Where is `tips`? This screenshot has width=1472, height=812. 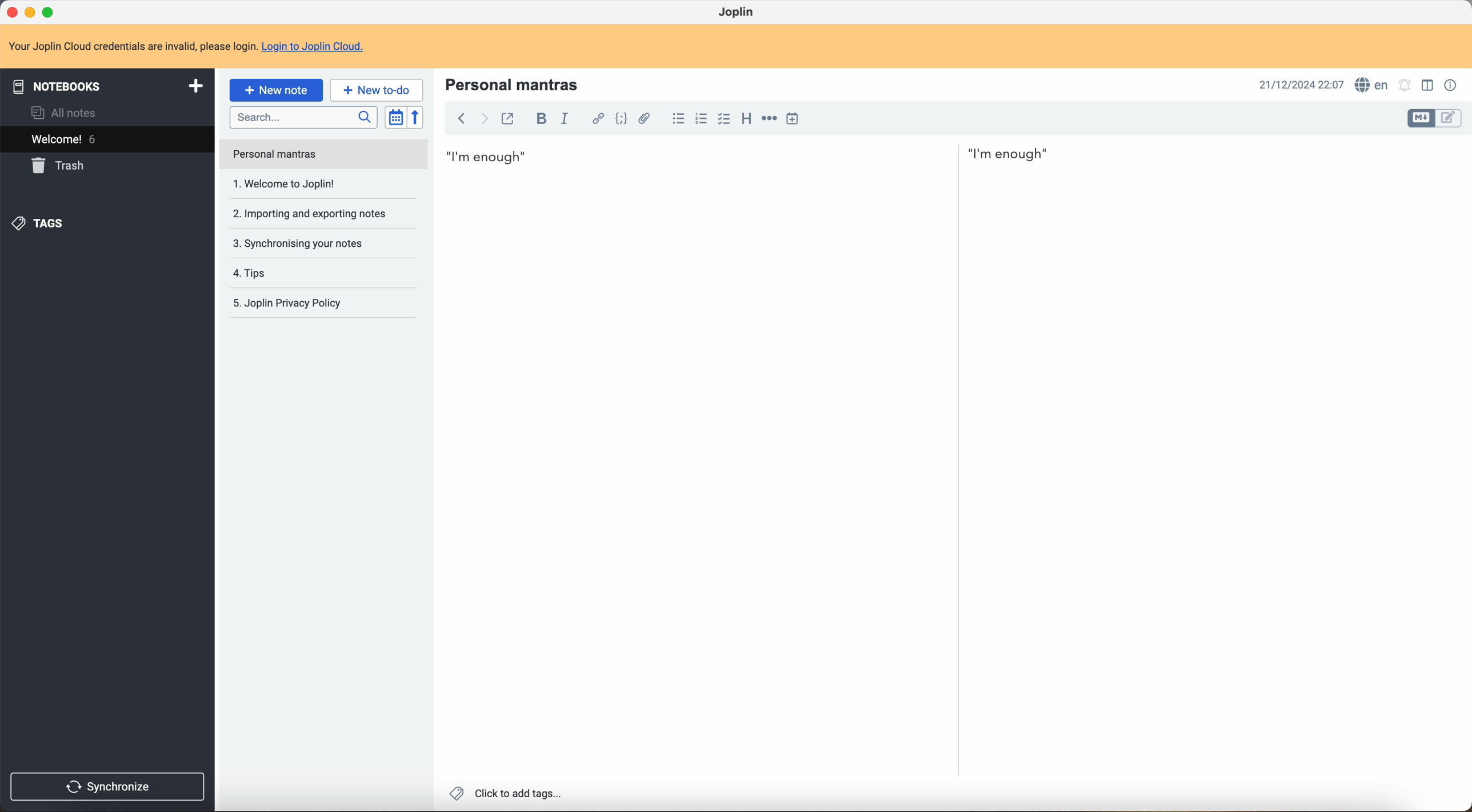
tips is located at coordinates (294, 245).